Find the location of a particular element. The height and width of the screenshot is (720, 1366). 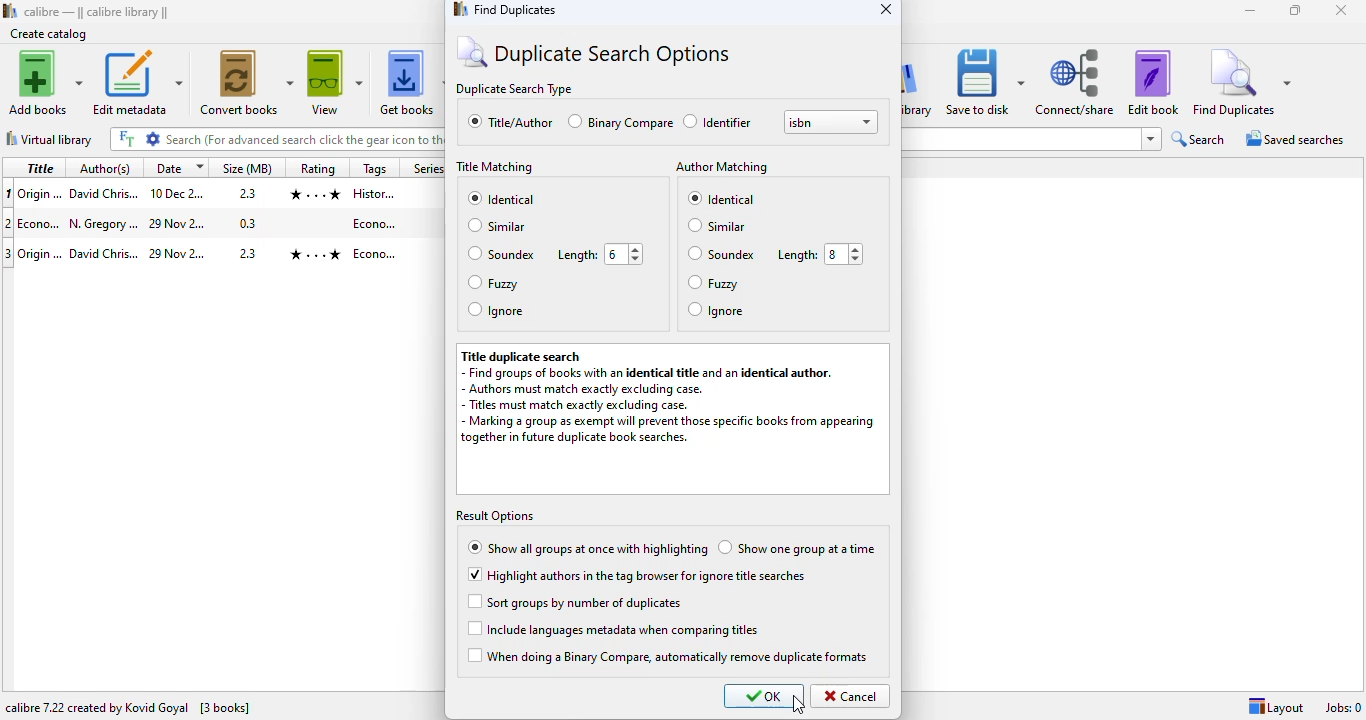

identifier is located at coordinates (718, 121).